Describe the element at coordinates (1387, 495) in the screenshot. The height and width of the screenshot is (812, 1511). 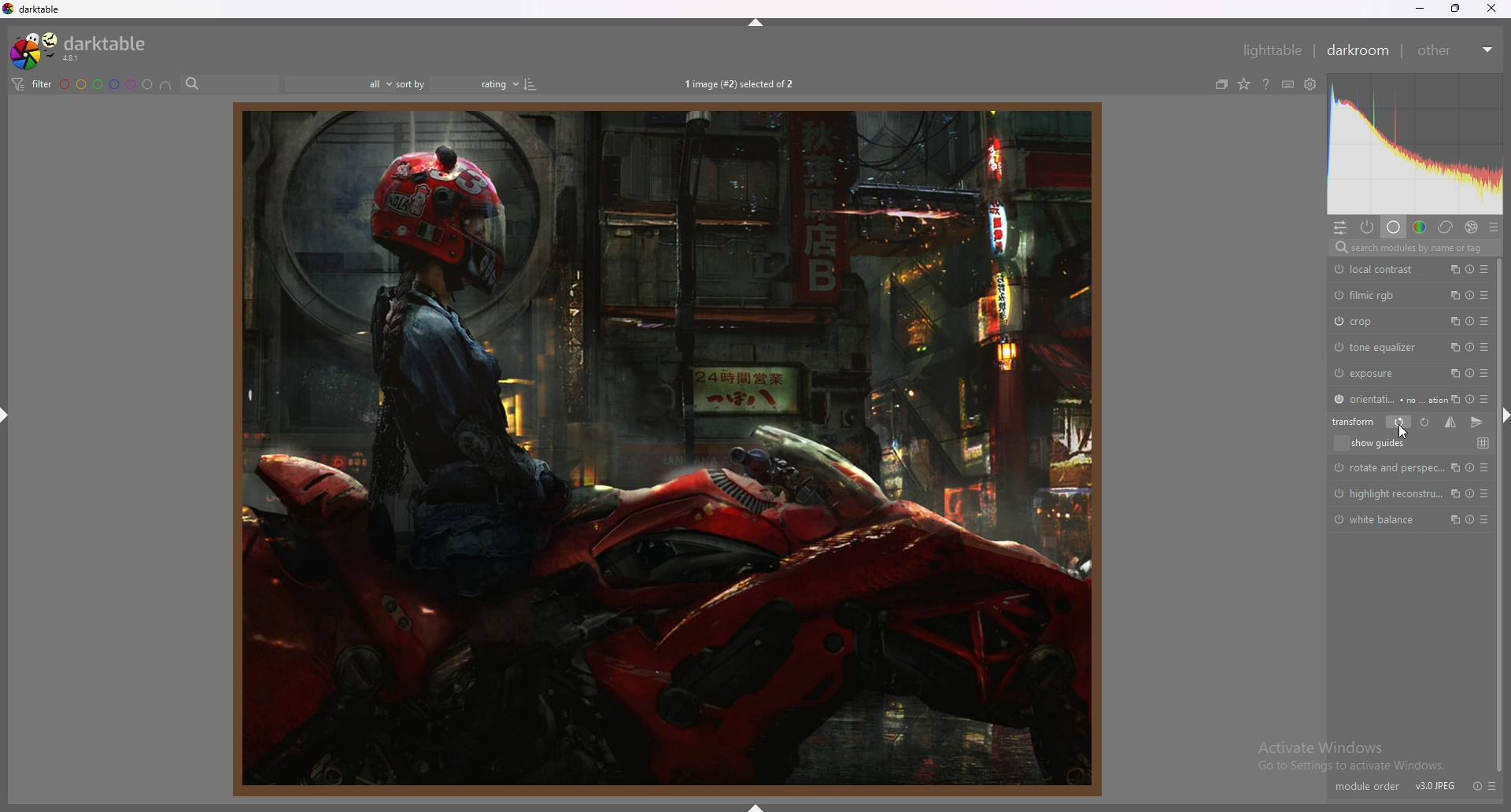
I see `` at that location.